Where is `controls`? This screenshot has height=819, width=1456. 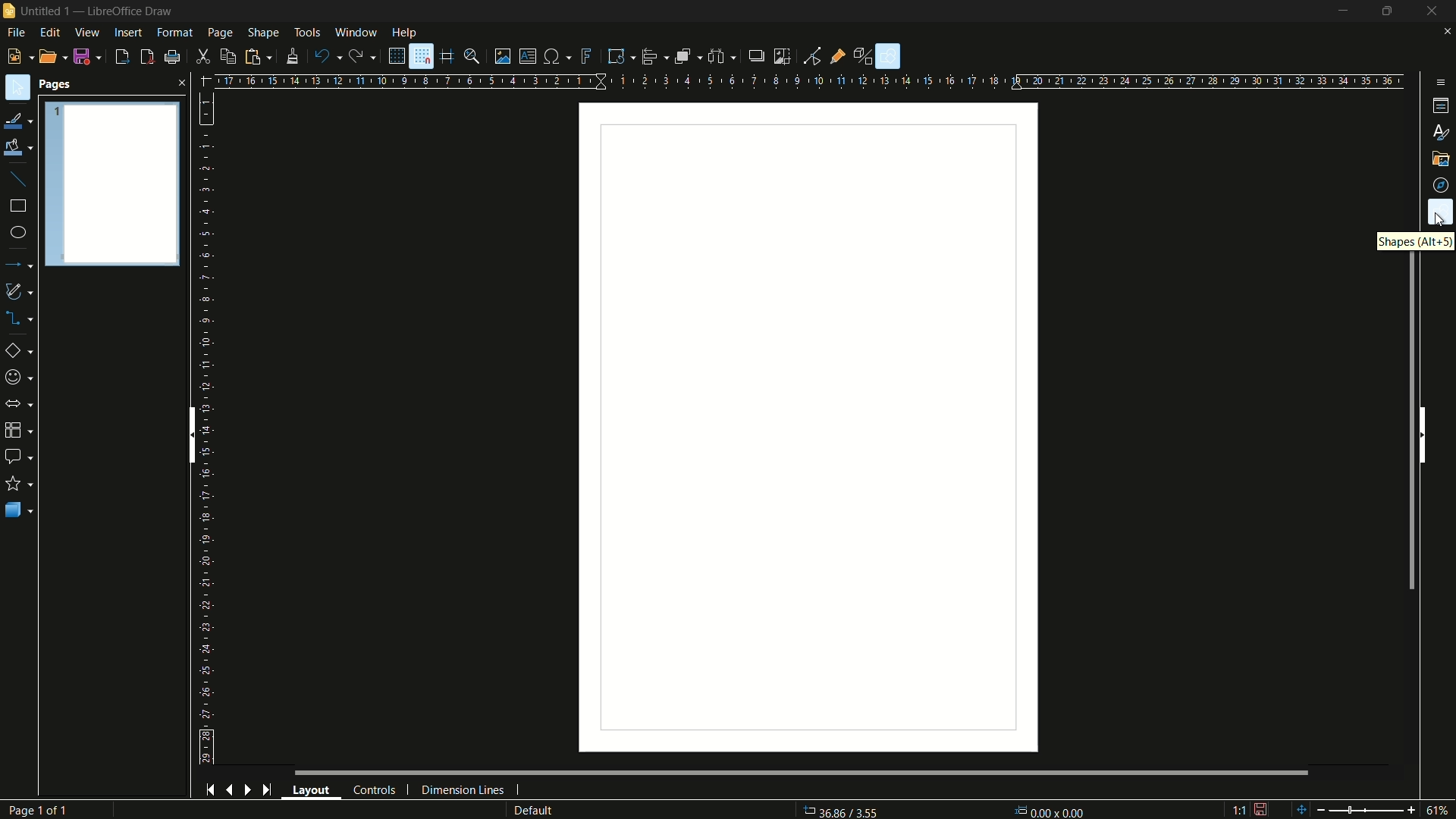 controls is located at coordinates (375, 791).